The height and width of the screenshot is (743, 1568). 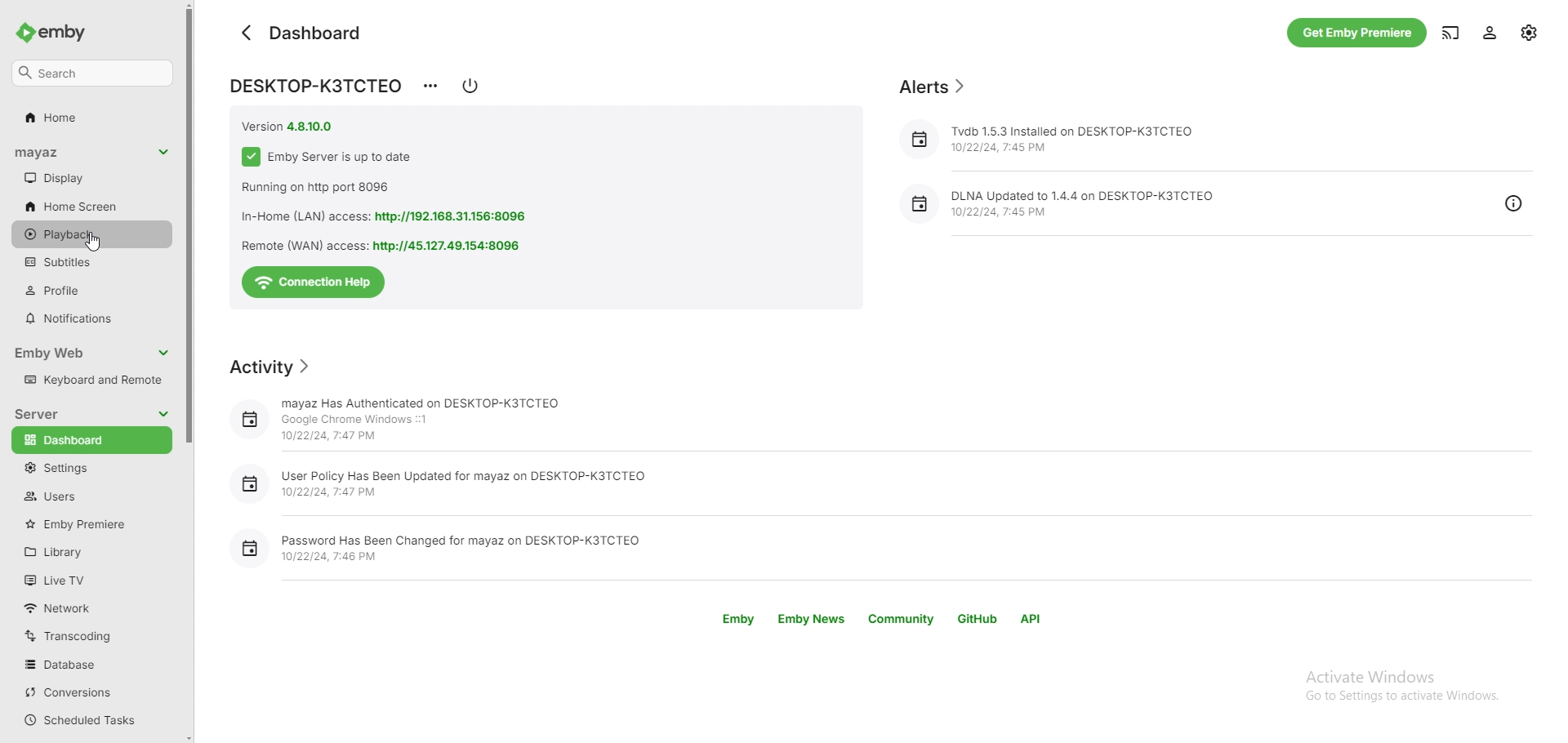 I want to click on dashboard, so click(x=299, y=34).